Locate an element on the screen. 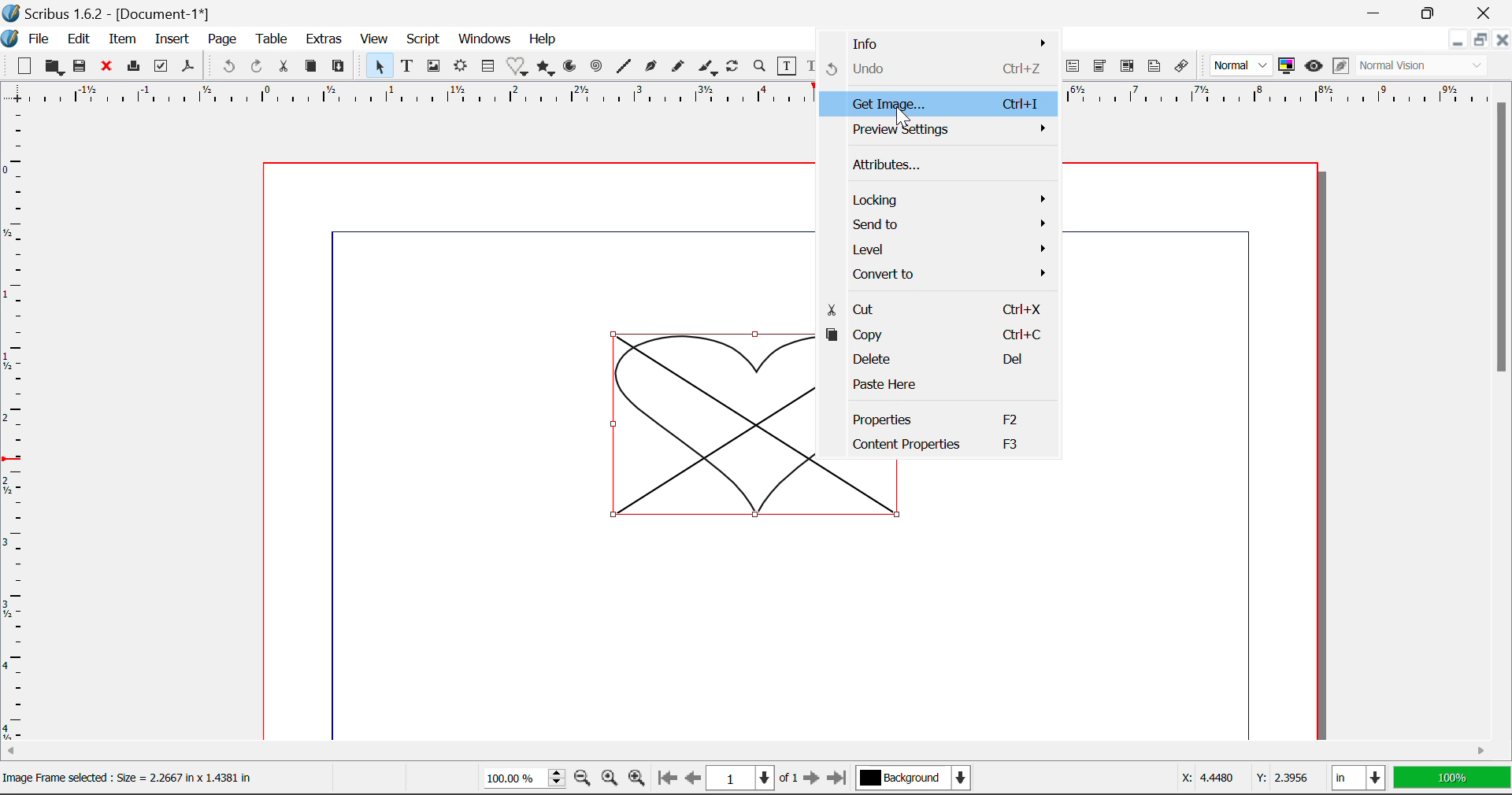 The width and height of the screenshot is (1512, 795). Item is located at coordinates (123, 40).